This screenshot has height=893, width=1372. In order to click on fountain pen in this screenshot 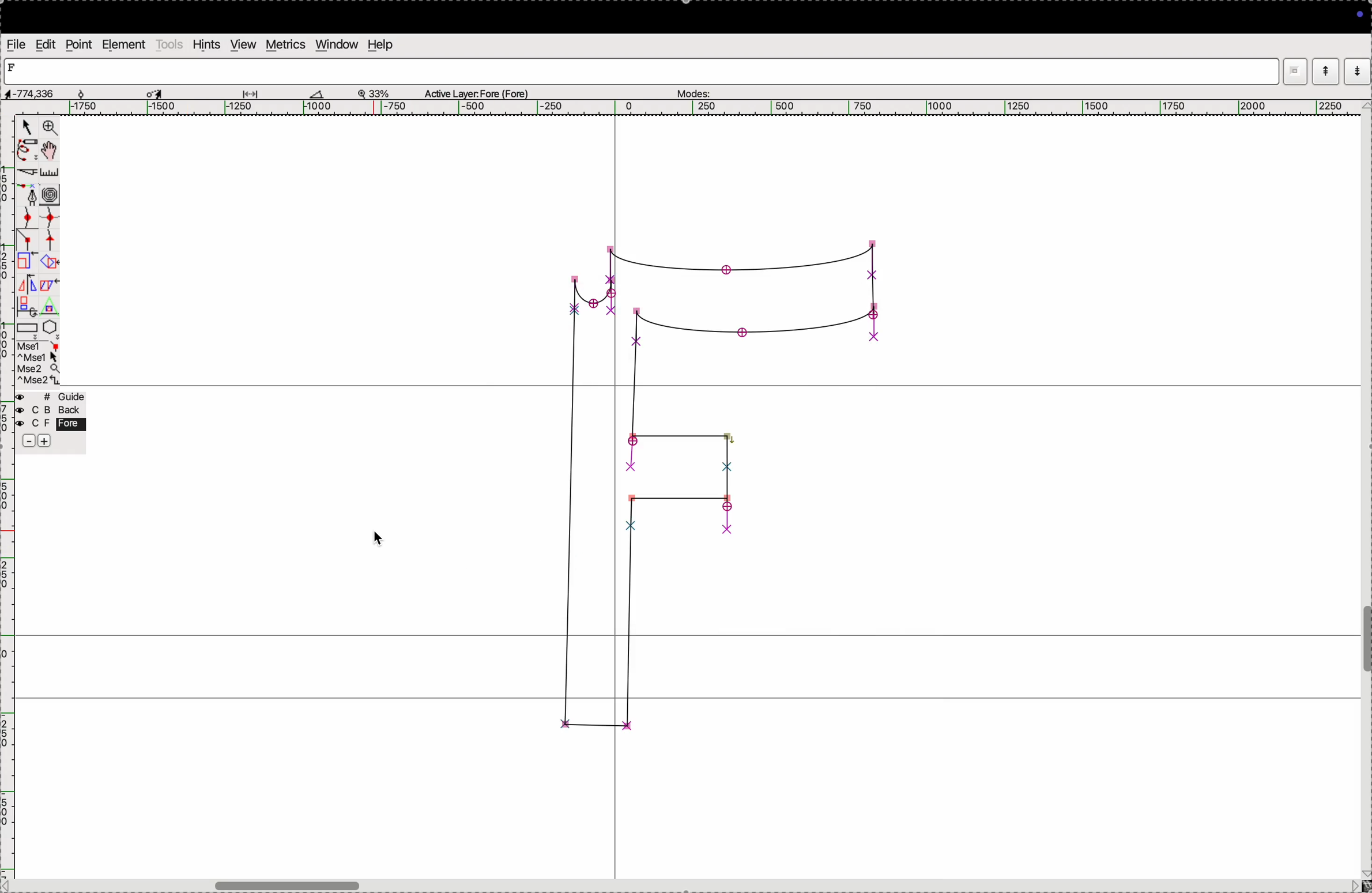, I will do `click(32, 196)`.